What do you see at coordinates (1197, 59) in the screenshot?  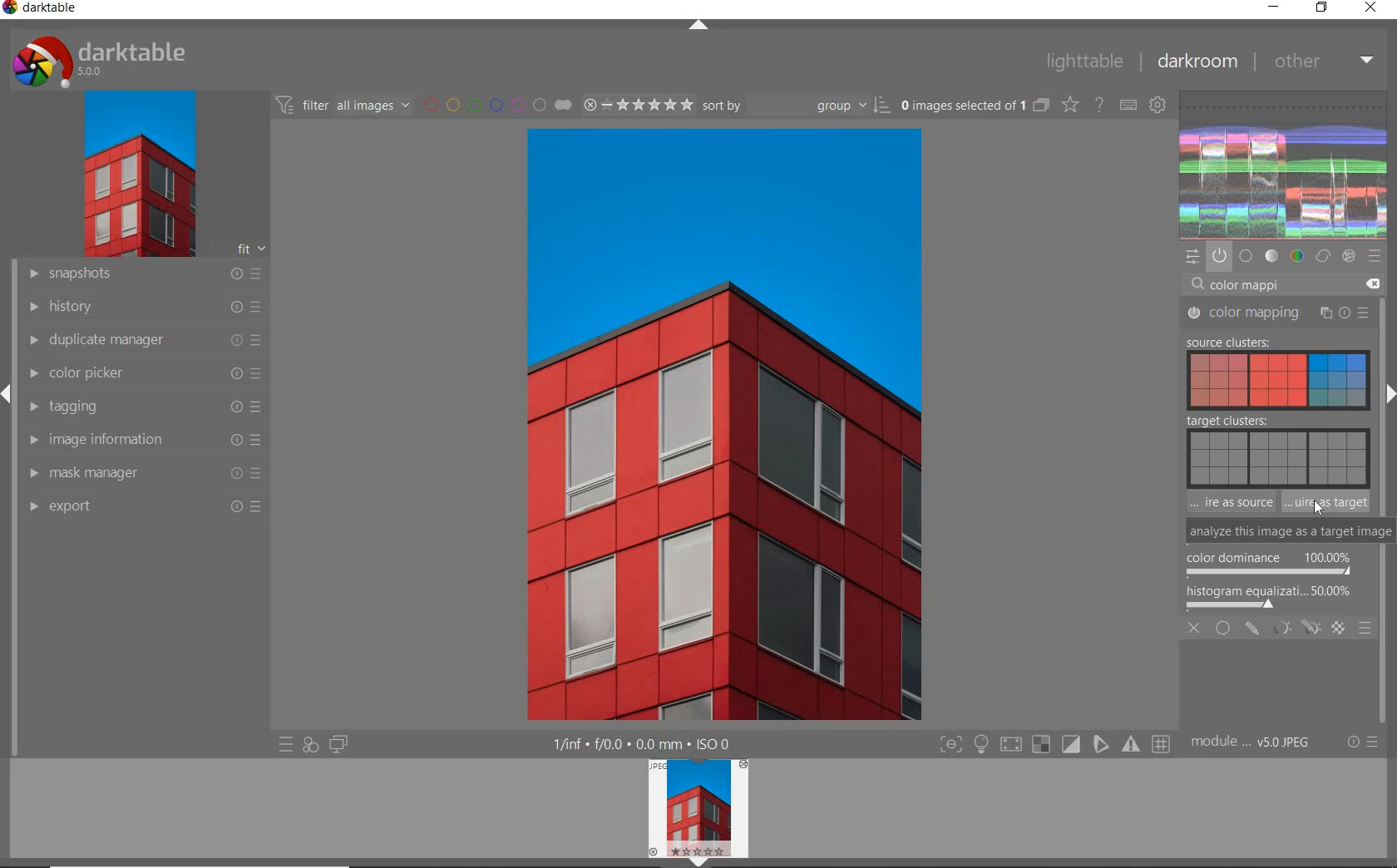 I see `darkroom` at bounding box center [1197, 59].